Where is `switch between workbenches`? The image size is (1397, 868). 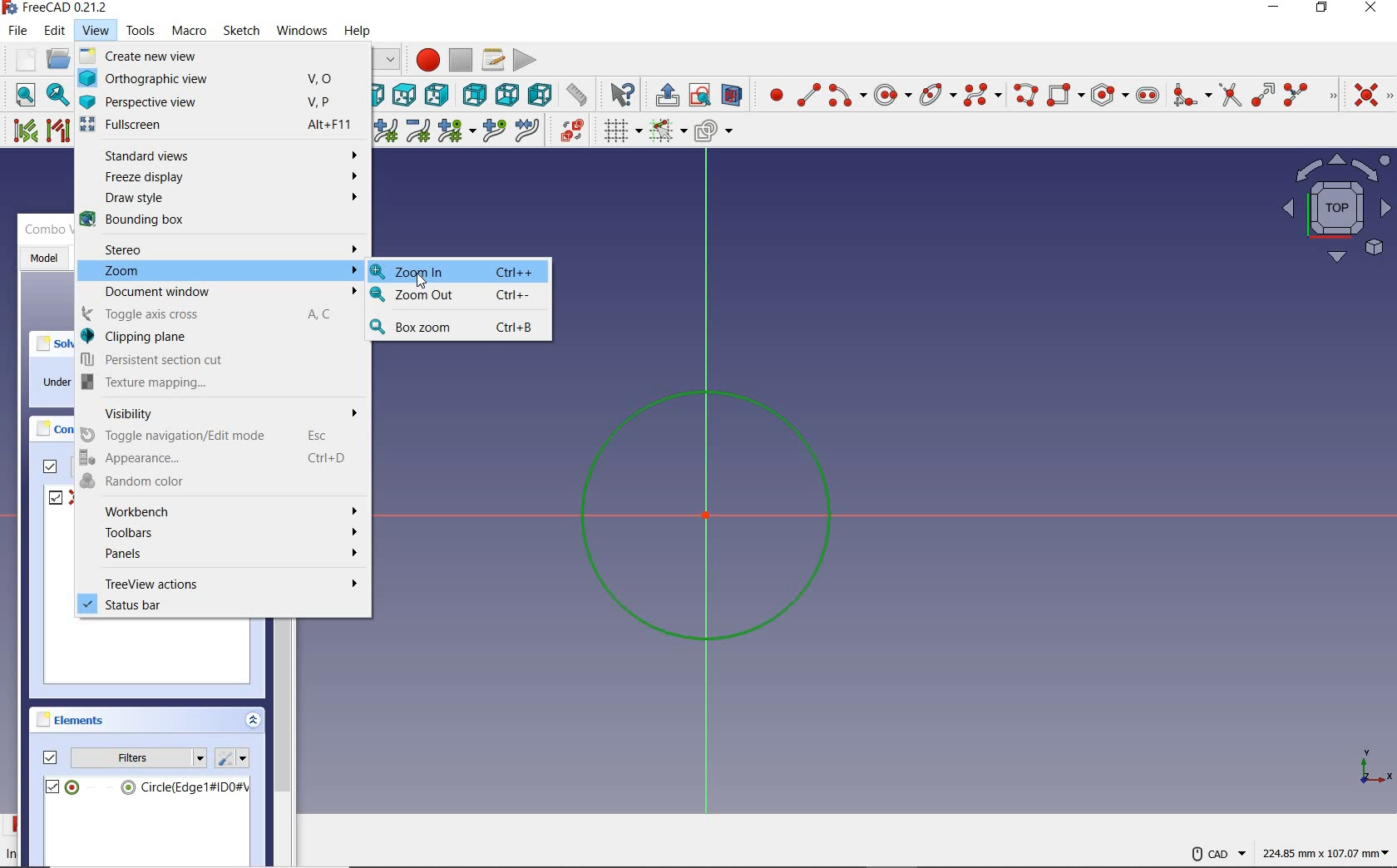
switch between workbenches is located at coordinates (390, 58).